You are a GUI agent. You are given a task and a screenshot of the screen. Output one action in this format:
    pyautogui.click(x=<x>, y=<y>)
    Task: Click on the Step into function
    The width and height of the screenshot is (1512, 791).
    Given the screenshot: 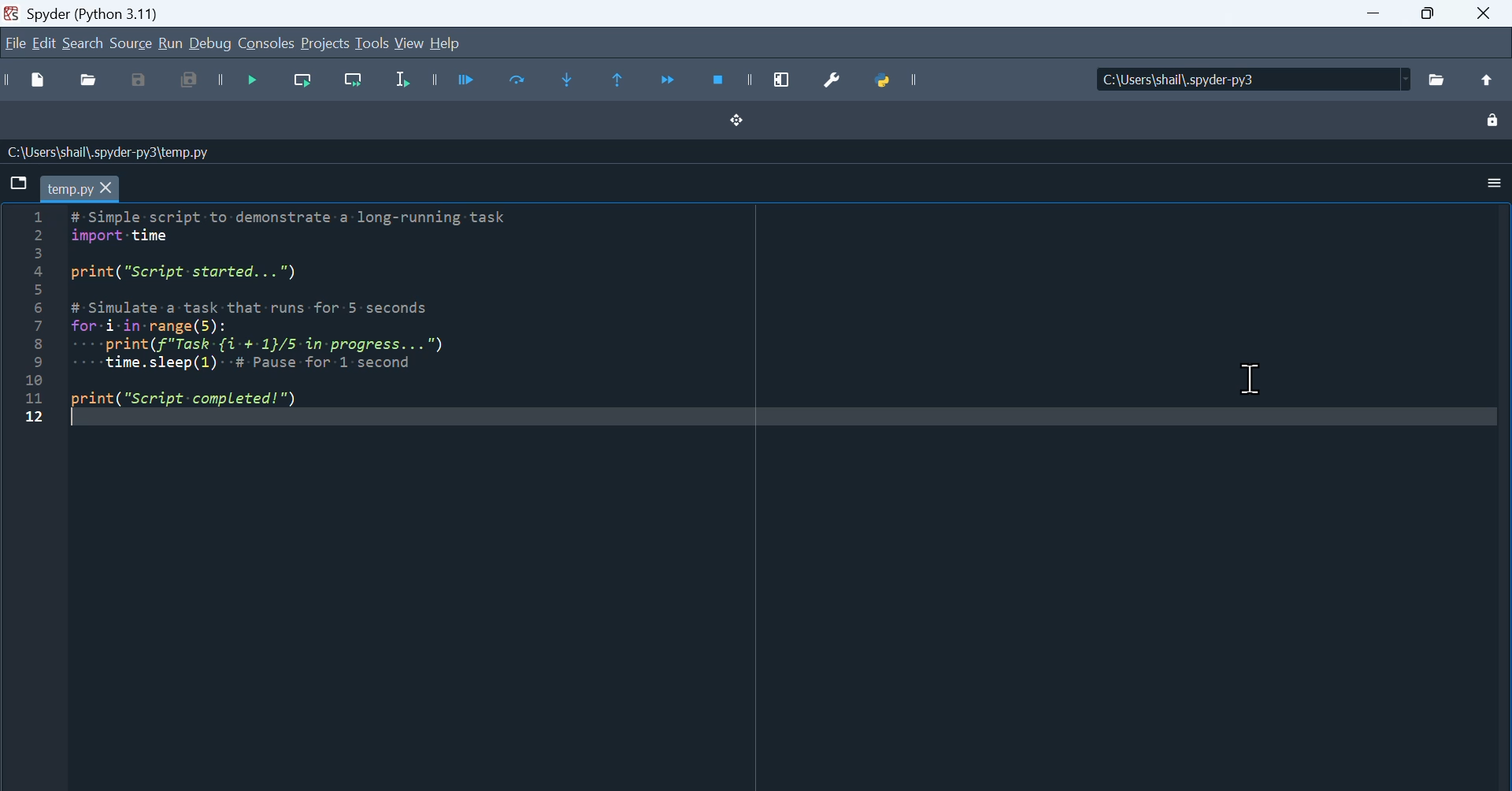 What is the action you would take?
    pyautogui.click(x=569, y=83)
    